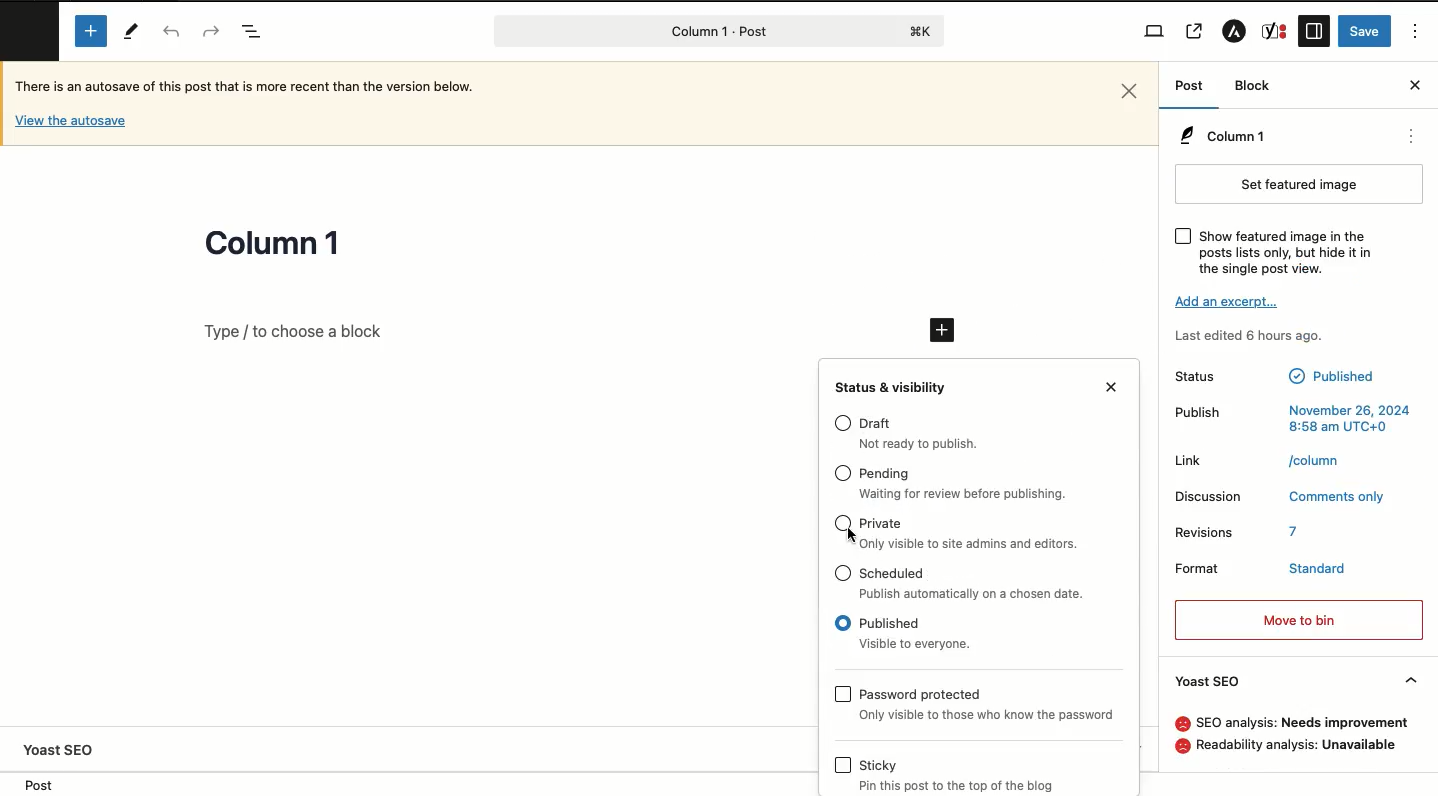 This screenshot has height=796, width=1438. Describe the element at coordinates (1319, 565) in the screenshot. I see `Standard` at that location.